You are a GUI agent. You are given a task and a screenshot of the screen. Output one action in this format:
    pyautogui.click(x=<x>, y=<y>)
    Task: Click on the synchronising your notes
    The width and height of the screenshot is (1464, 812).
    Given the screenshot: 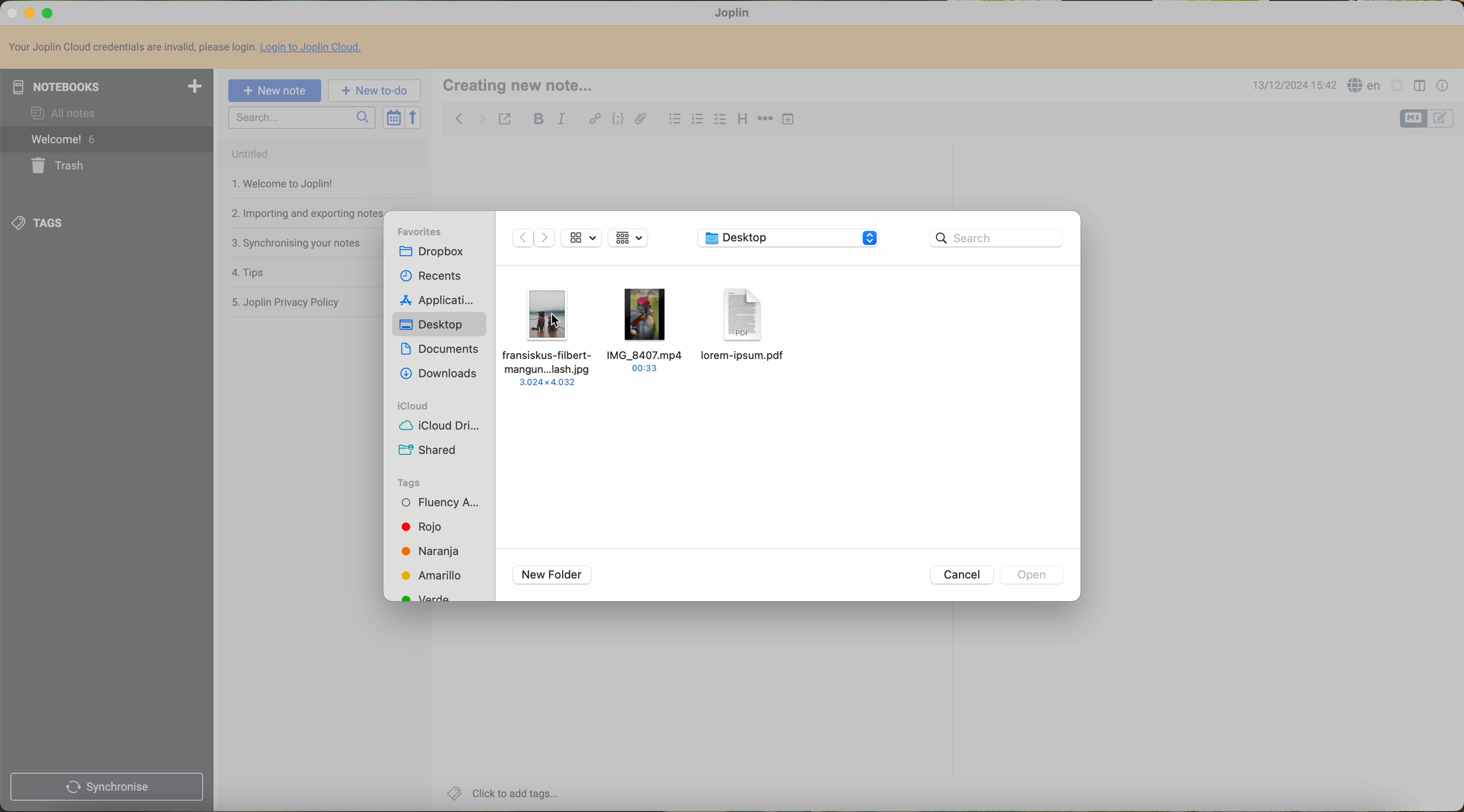 What is the action you would take?
    pyautogui.click(x=296, y=244)
    